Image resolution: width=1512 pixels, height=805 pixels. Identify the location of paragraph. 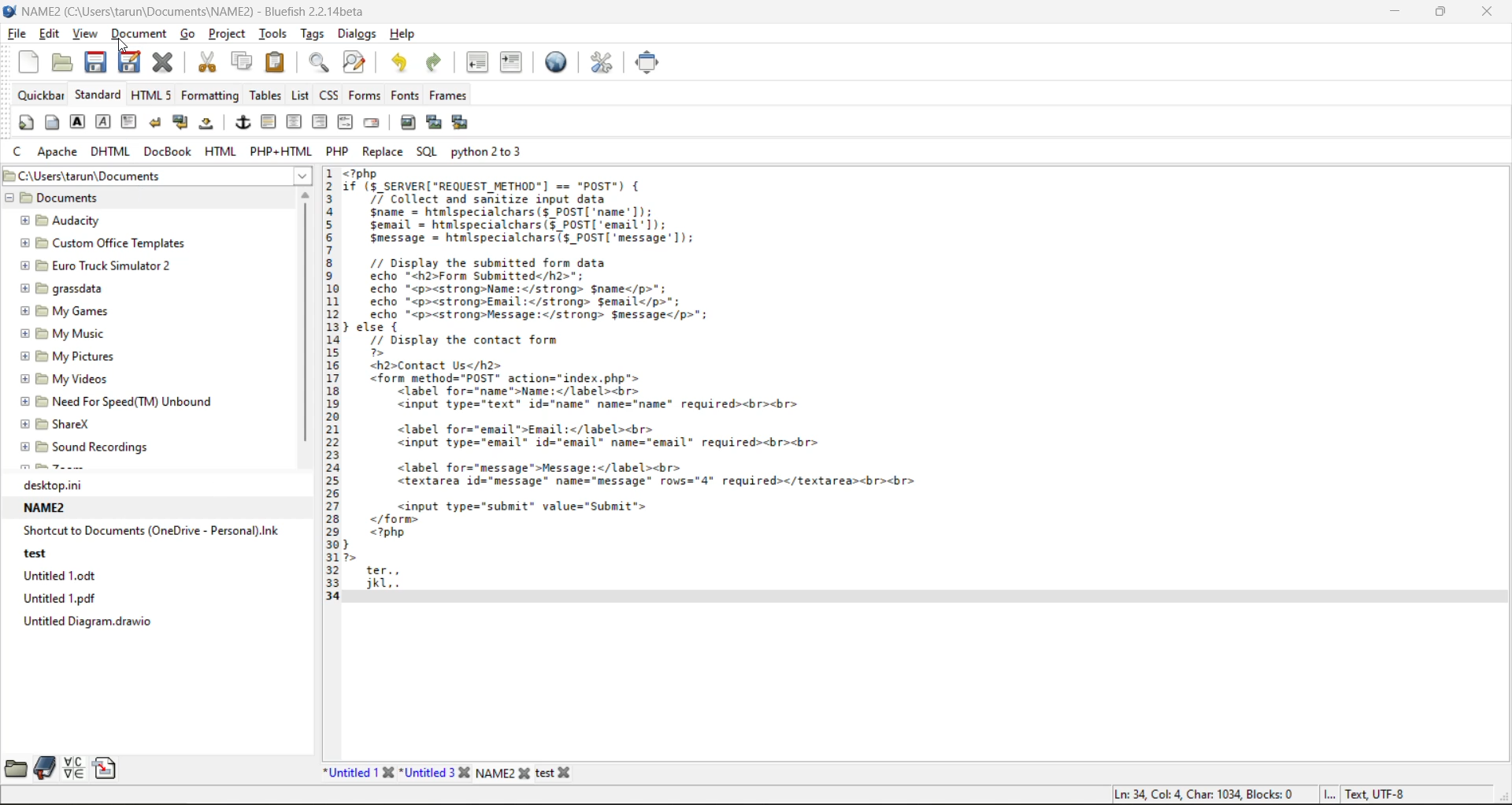
(132, 123).